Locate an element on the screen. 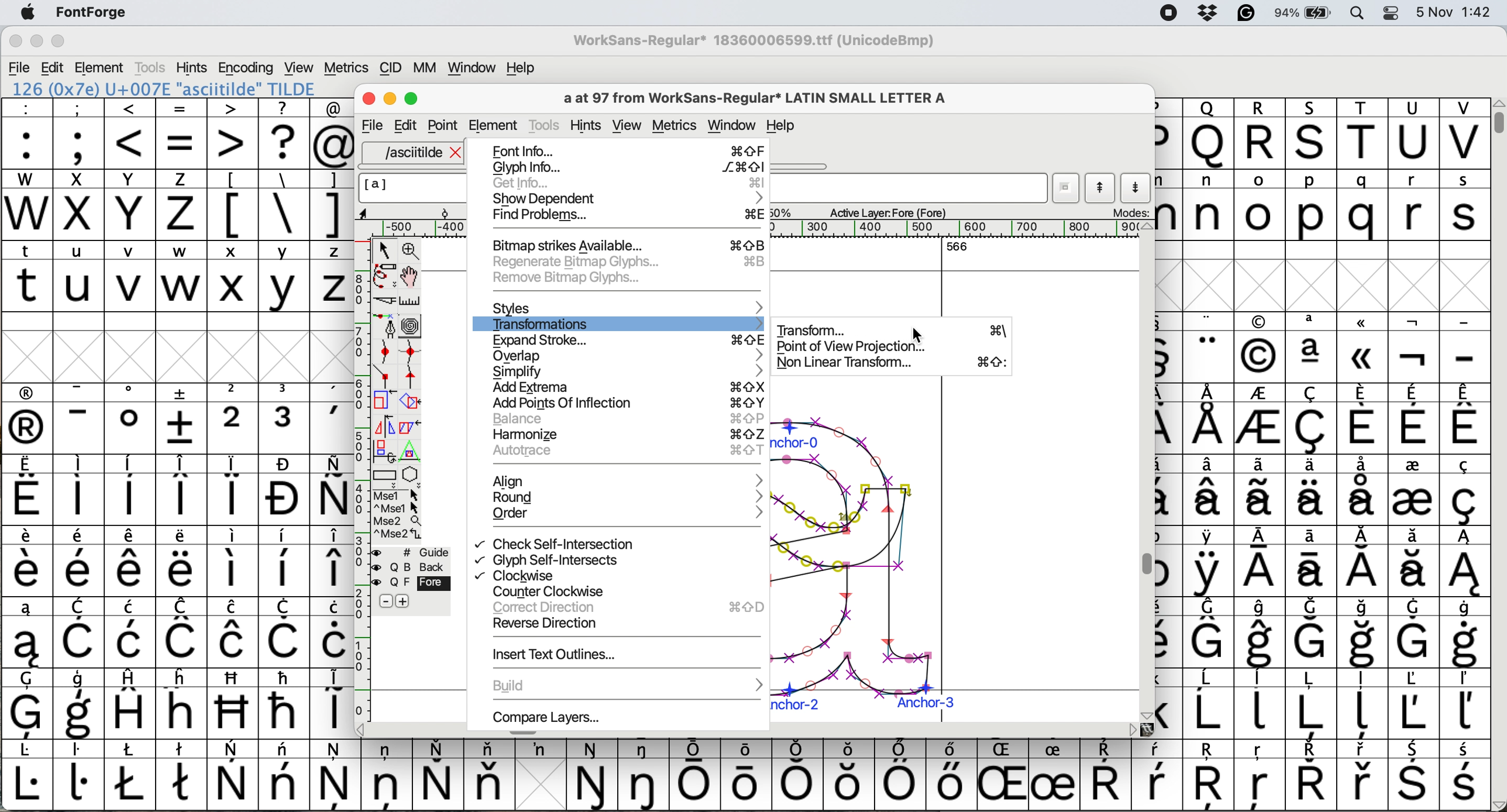 The height and width of the screenshot is (812, 1507). Vertical scroll bar is located at coordinates (1143, 566).